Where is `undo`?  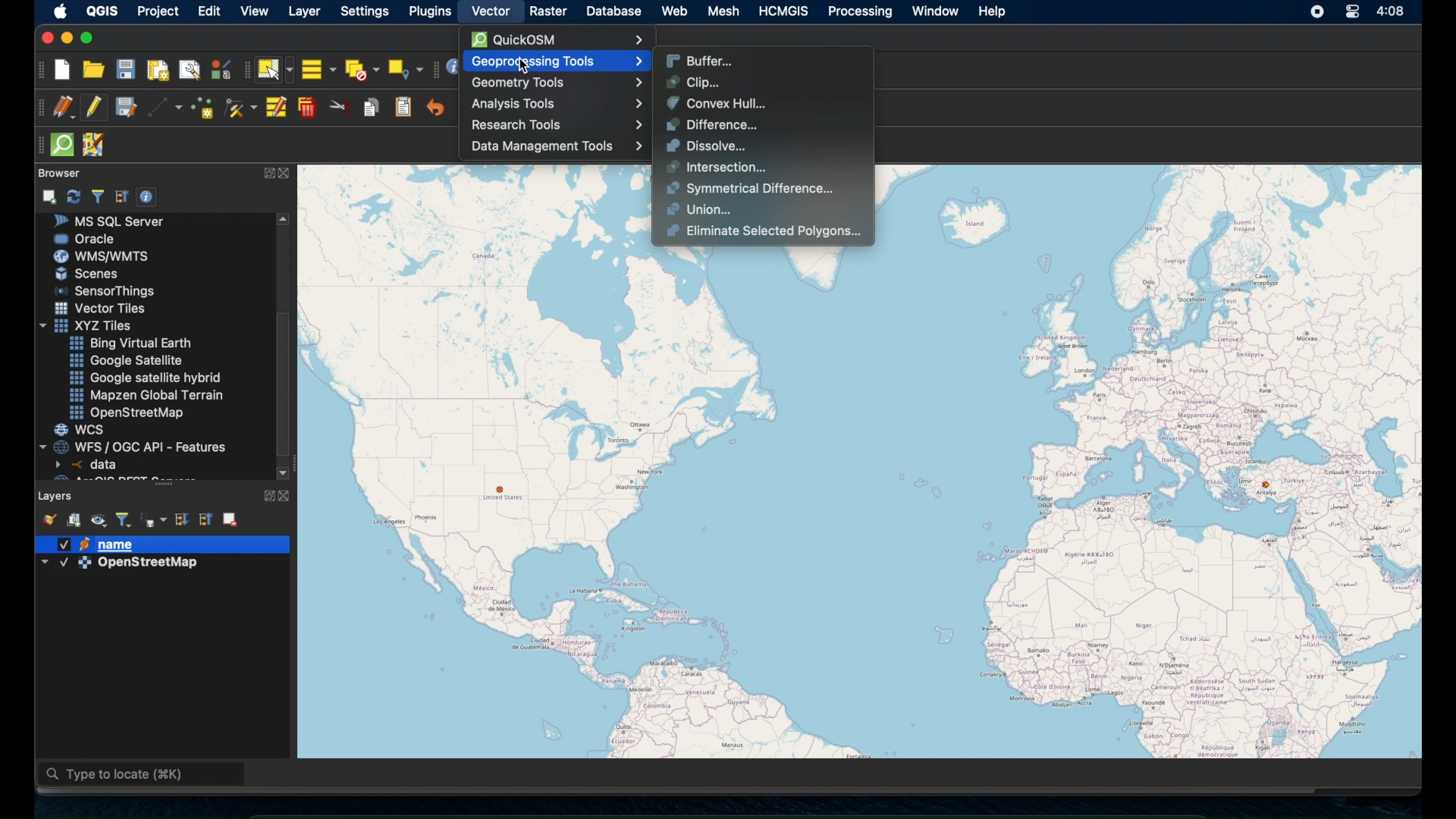
undo is located at coordinates (435, 108).